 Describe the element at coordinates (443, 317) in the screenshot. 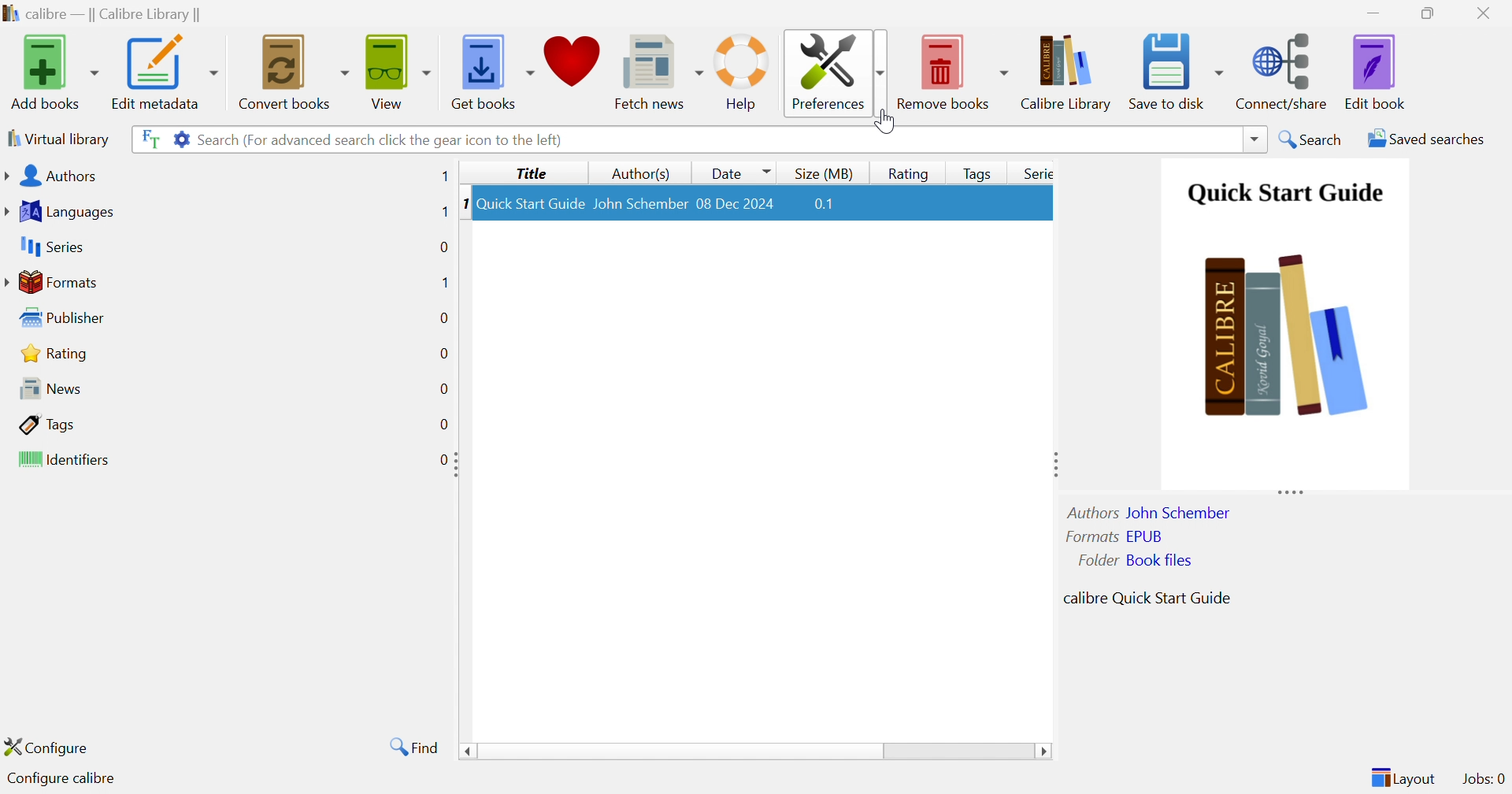

I see `0` at that location.